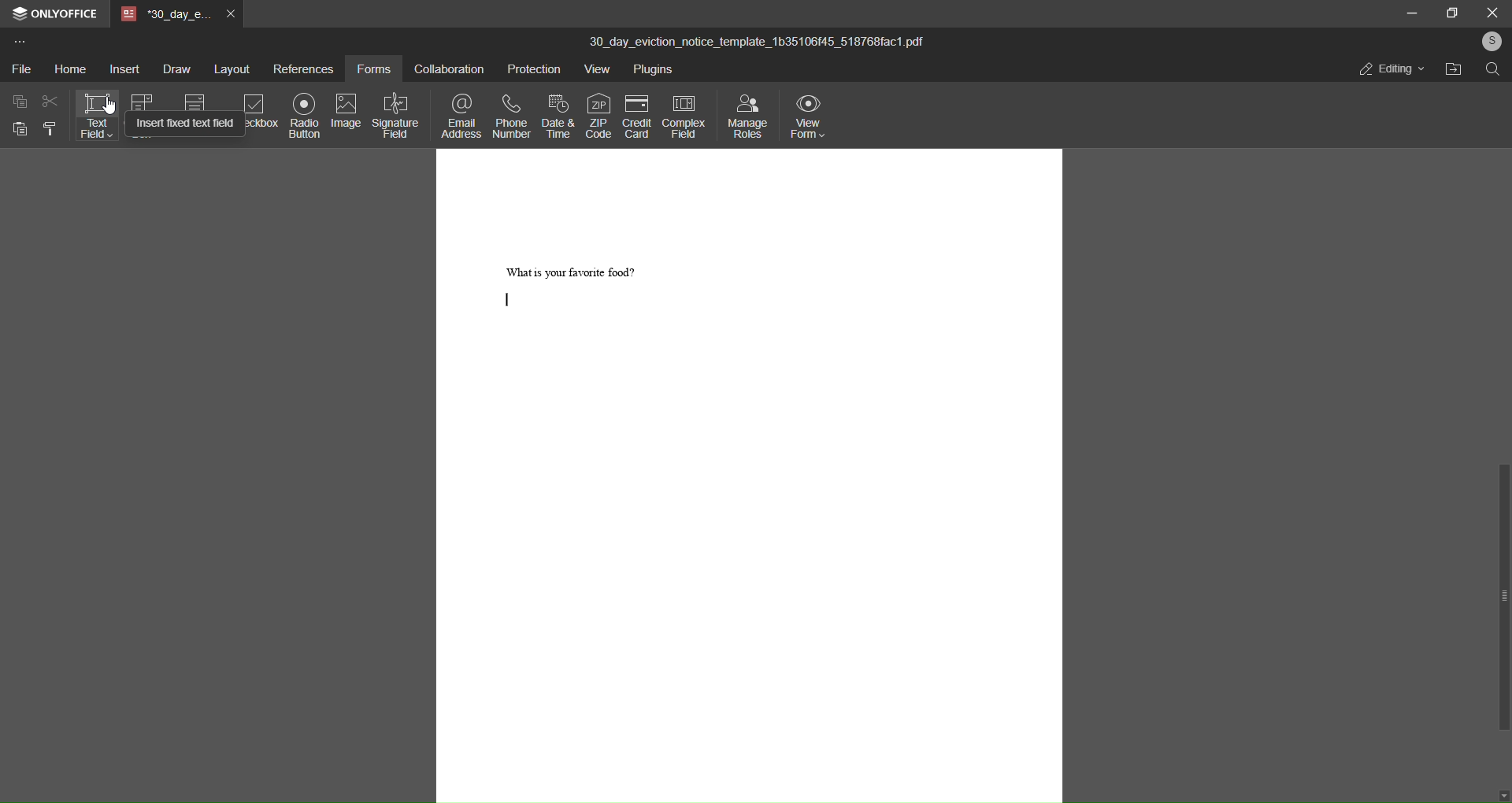  Describe the element at coordinates (124, 69) in the screenshot. I see `insert` at that location.